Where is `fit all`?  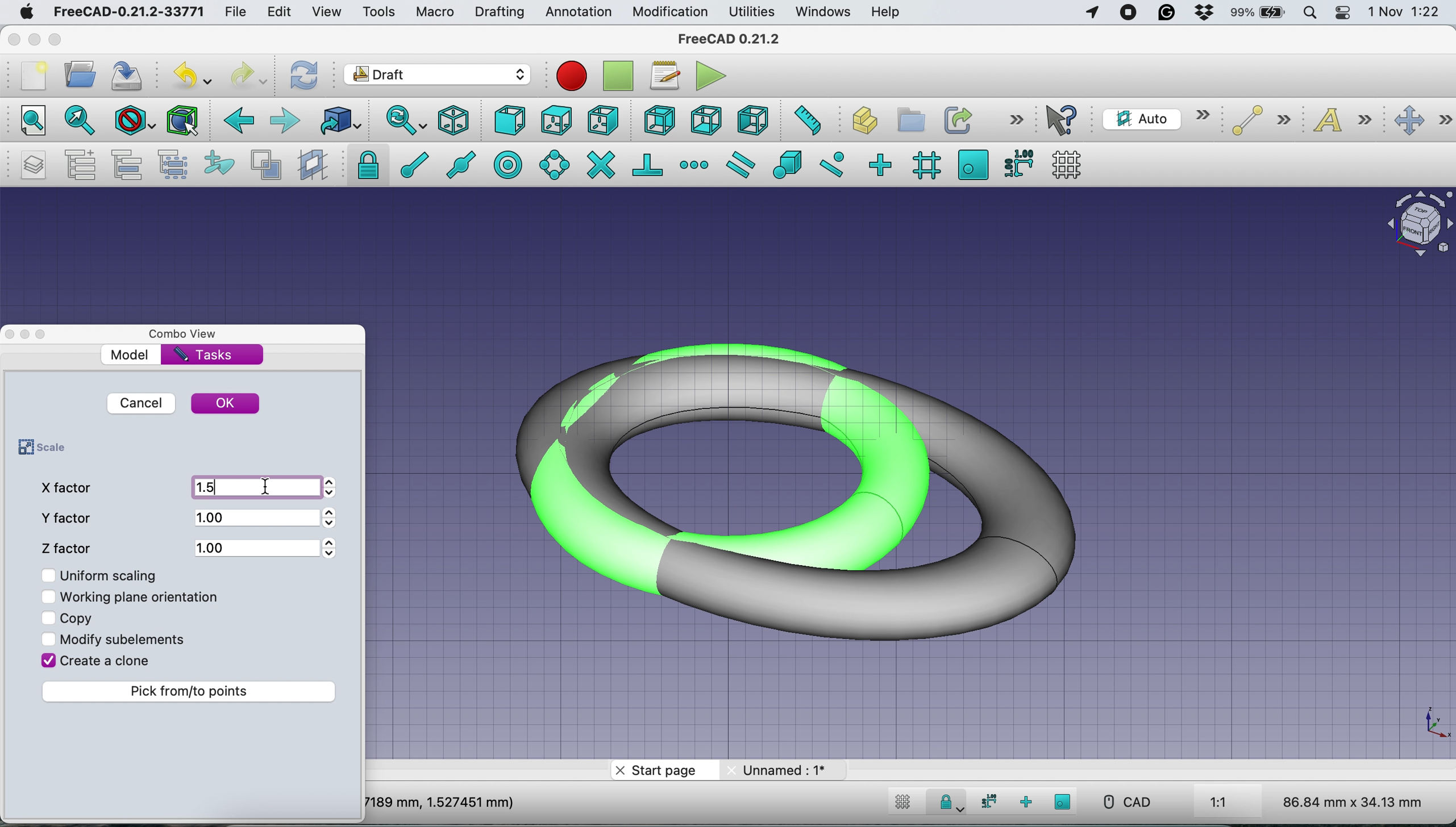
fit all is located at coordinates (30, 122).